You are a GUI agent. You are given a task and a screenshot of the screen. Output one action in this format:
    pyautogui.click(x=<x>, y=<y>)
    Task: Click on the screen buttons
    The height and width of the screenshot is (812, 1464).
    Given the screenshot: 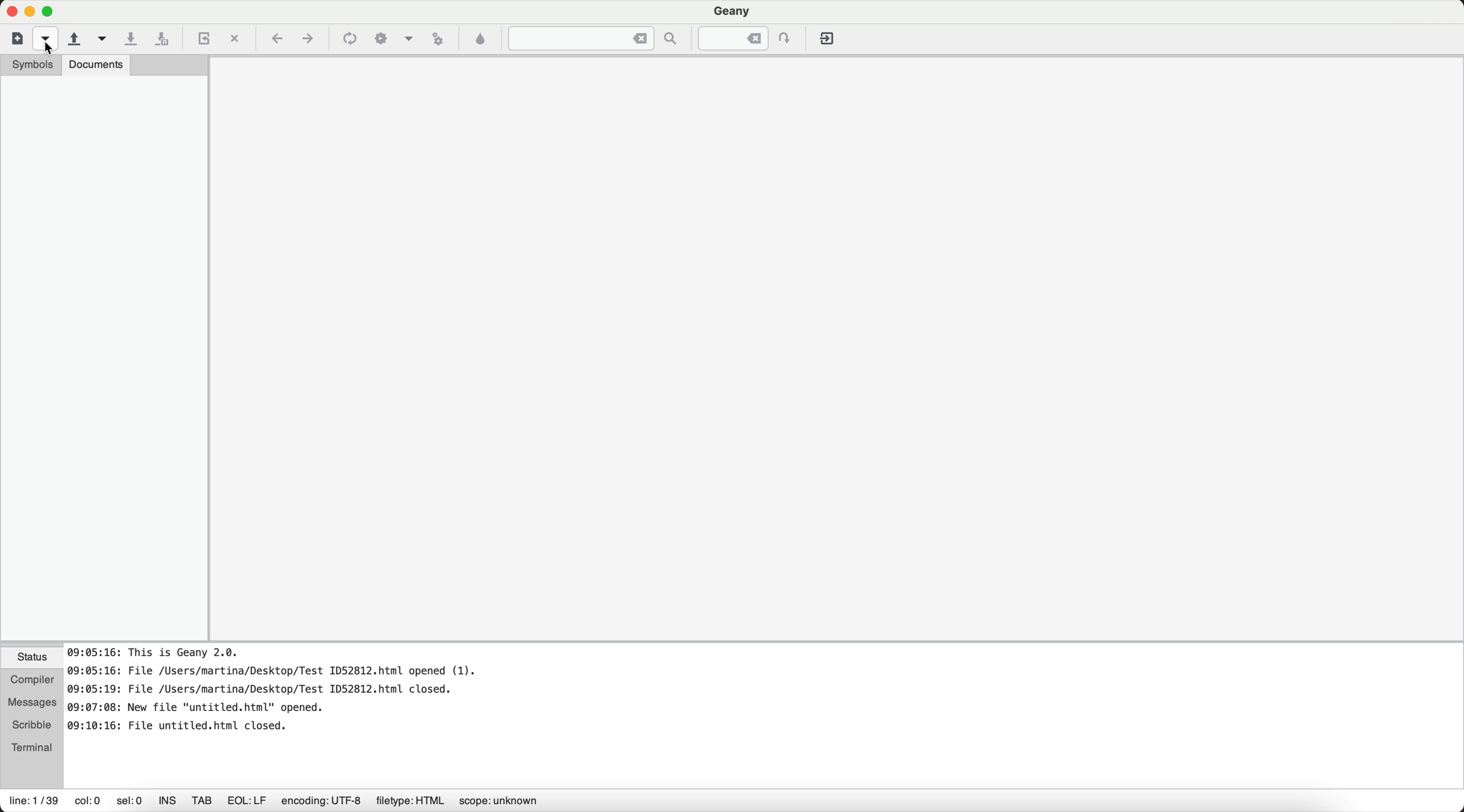 What is the action you would take?
    pyautogui.click(x=32, y=10)
    